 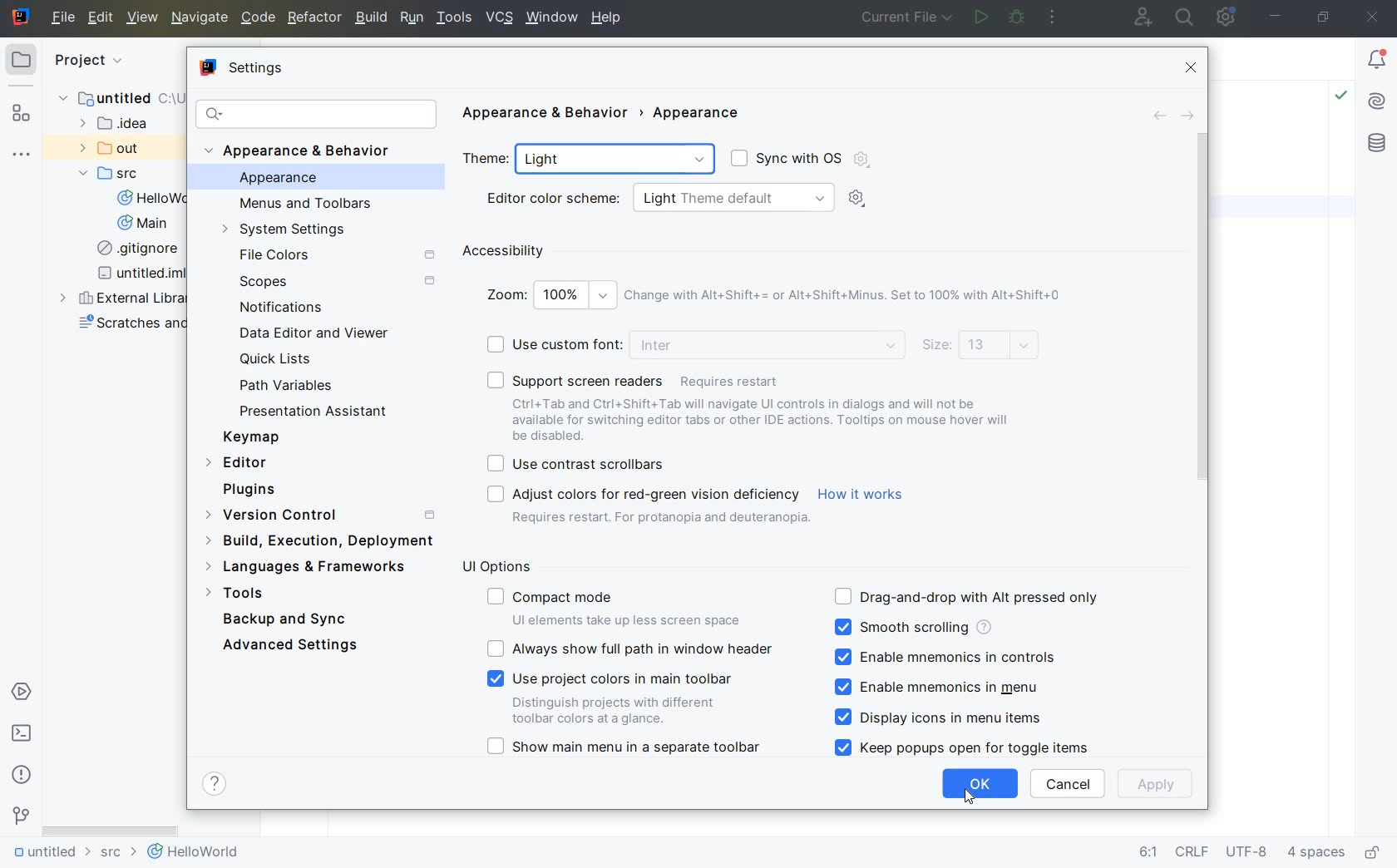 What do you see at coordinates (639, 381) in the screenshot?
I see `SUPPORT SCREEN READERS` at bounding box center [639, 381].